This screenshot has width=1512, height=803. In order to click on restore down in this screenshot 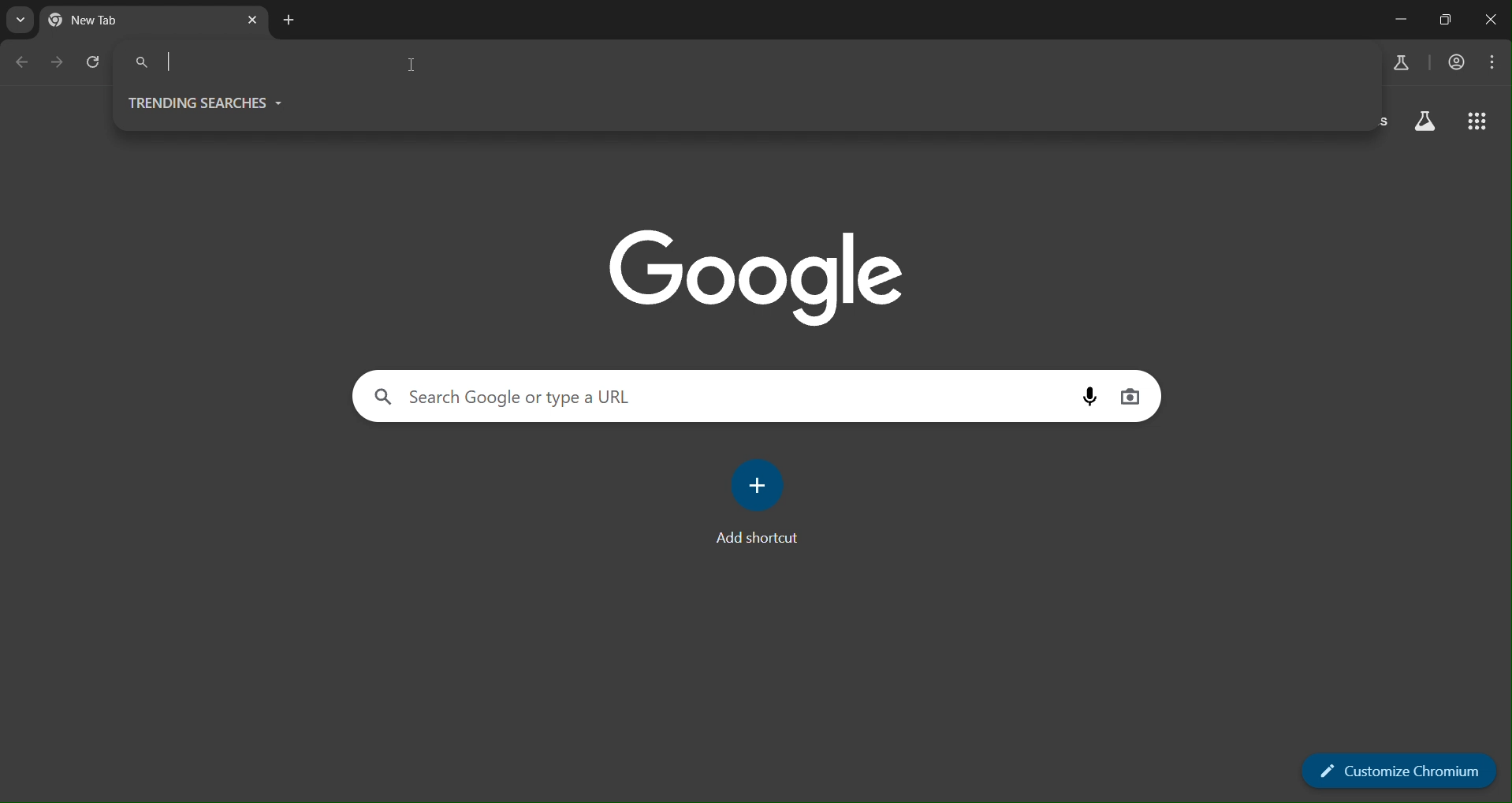, I will do `click(1444, 19)`.